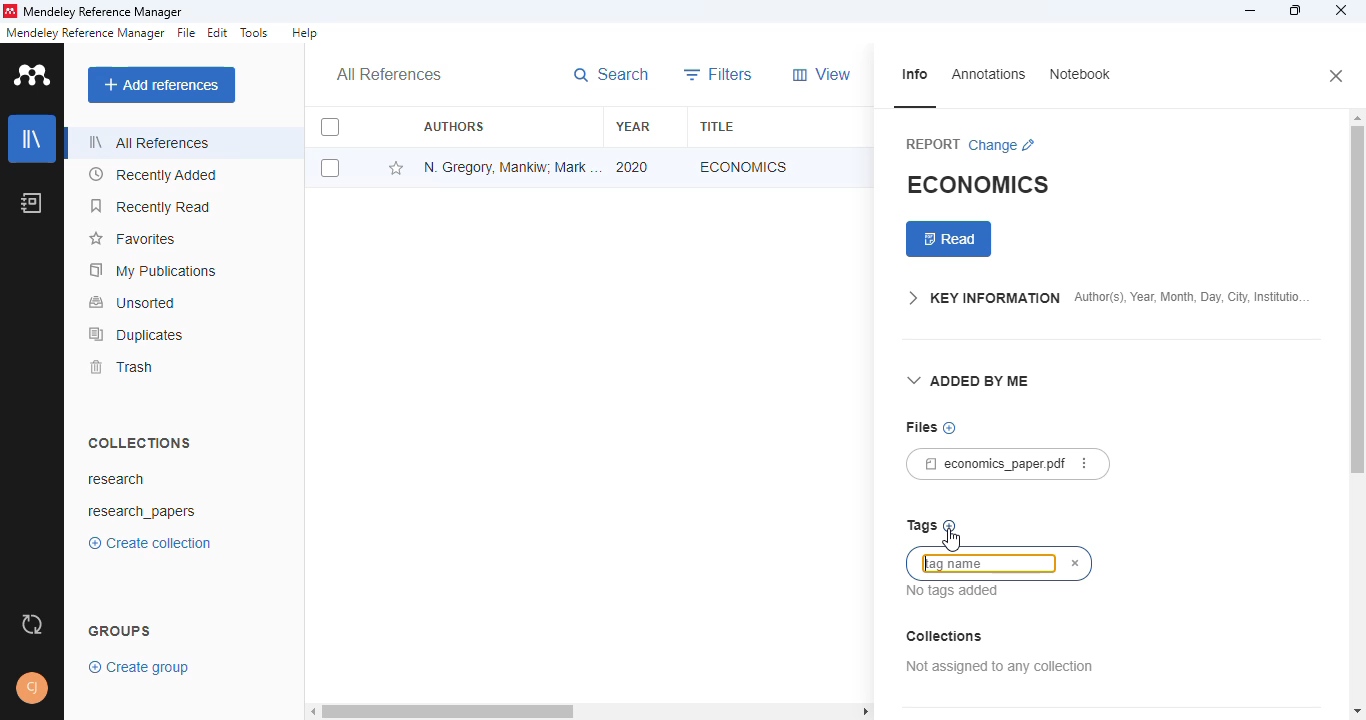  Describe the element at coordinates (949, 428) in the screenshot. I see `no files chosen` at that location.